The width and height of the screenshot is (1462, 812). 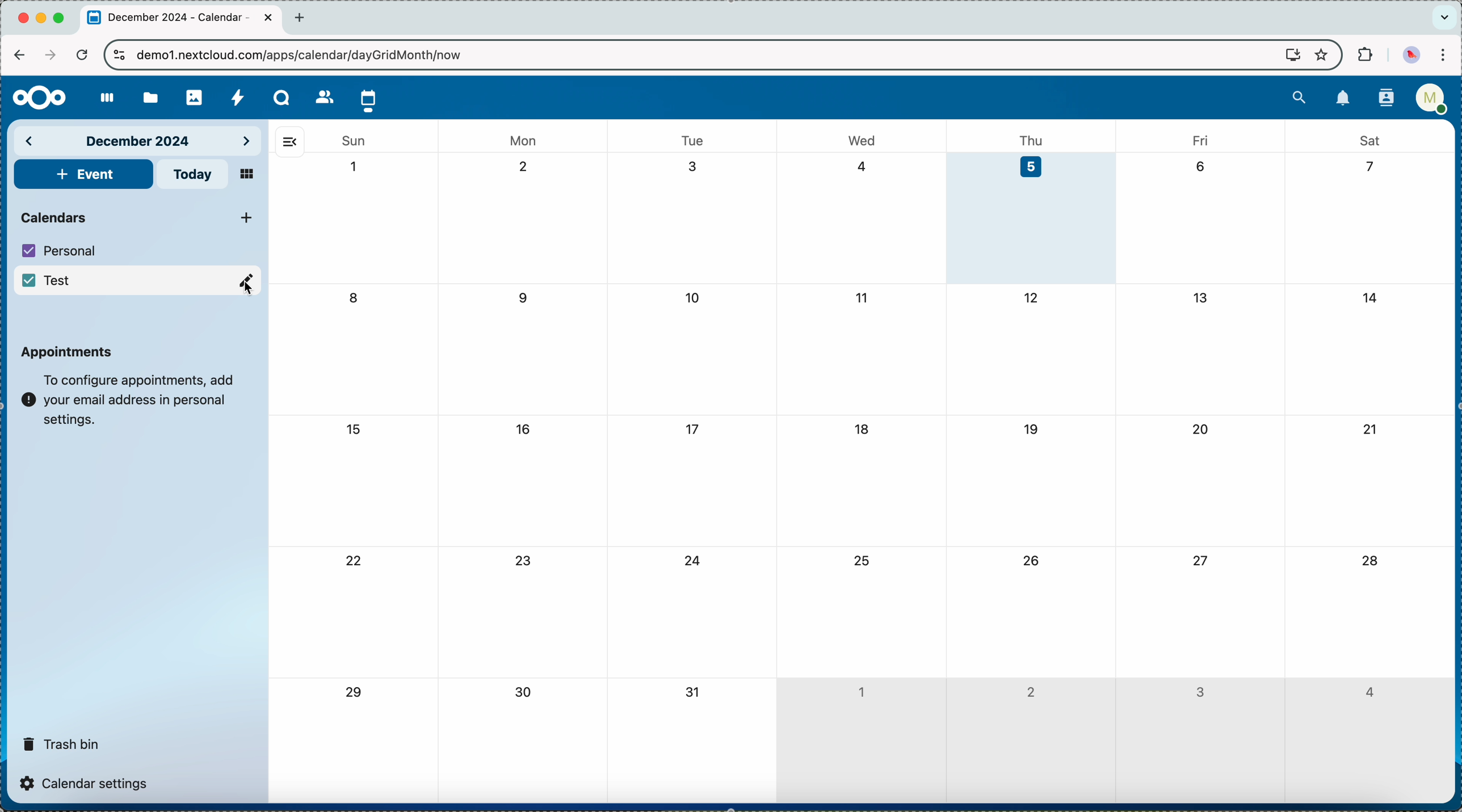 I want to click on profile picture, so click(x=1411, y=54).